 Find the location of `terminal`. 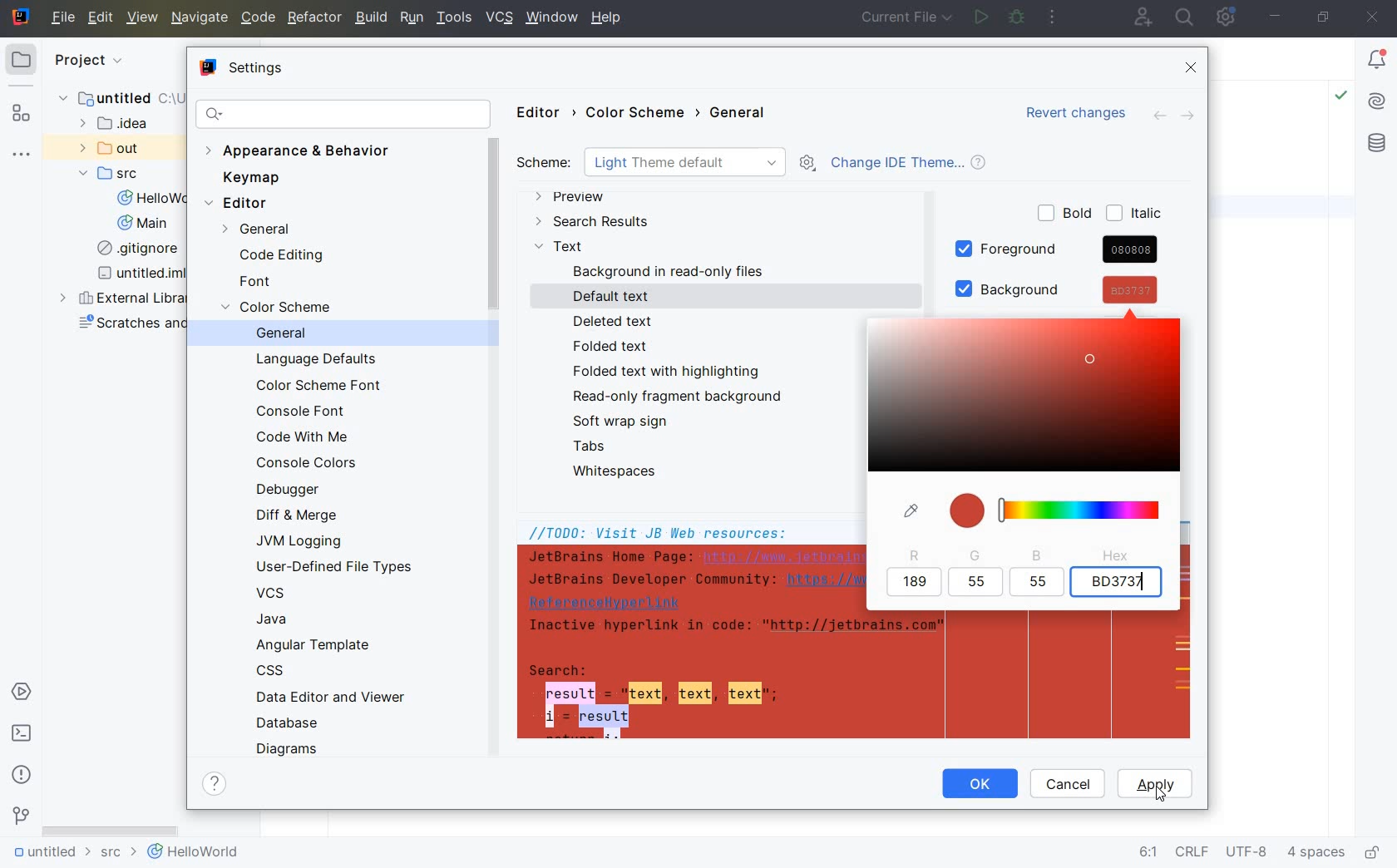

terminal is located at coordinates (22, 734).